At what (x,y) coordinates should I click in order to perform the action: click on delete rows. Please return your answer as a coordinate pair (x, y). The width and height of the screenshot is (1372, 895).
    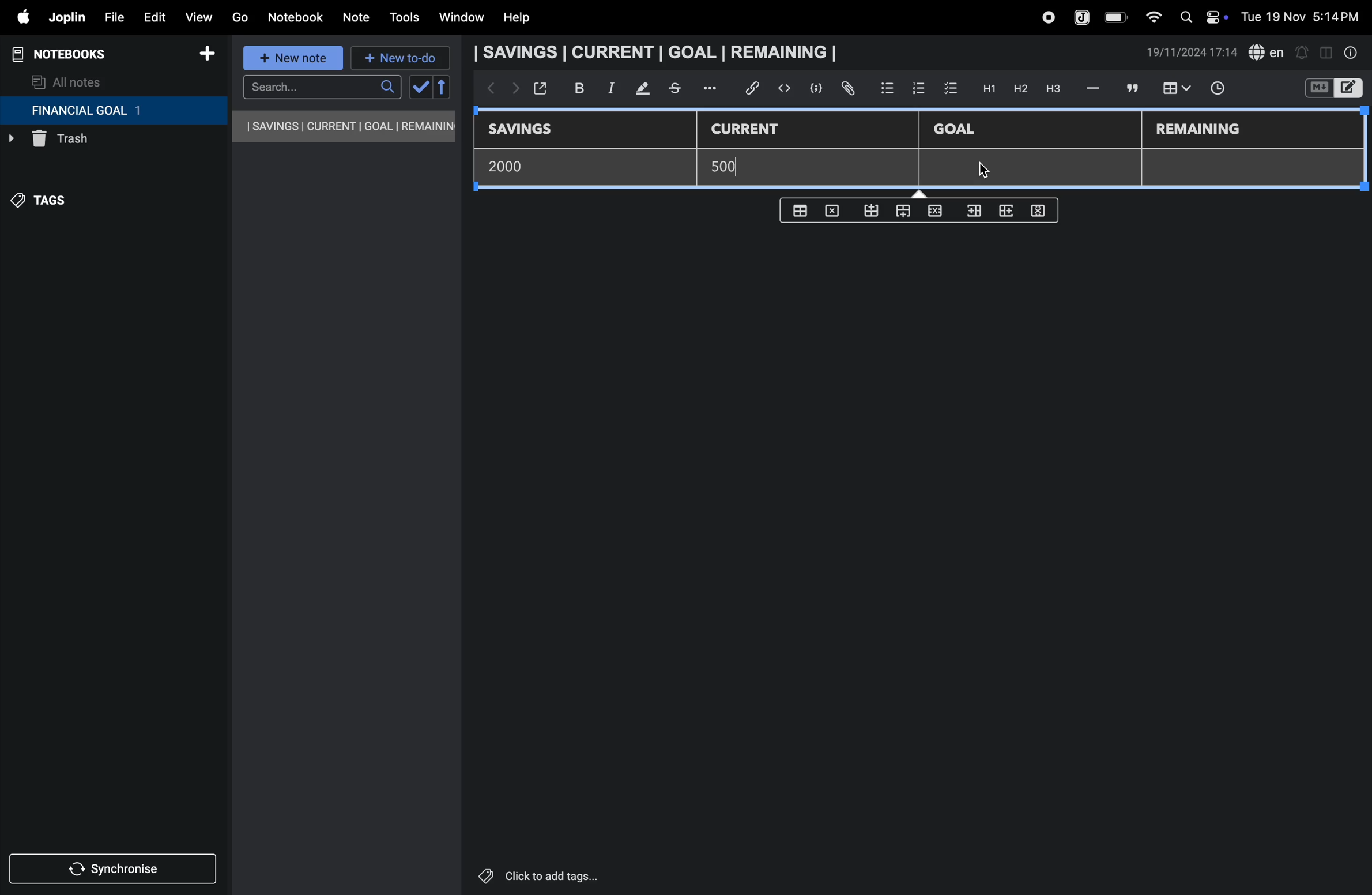
    Looking at the image, I should click on (1039, 210).